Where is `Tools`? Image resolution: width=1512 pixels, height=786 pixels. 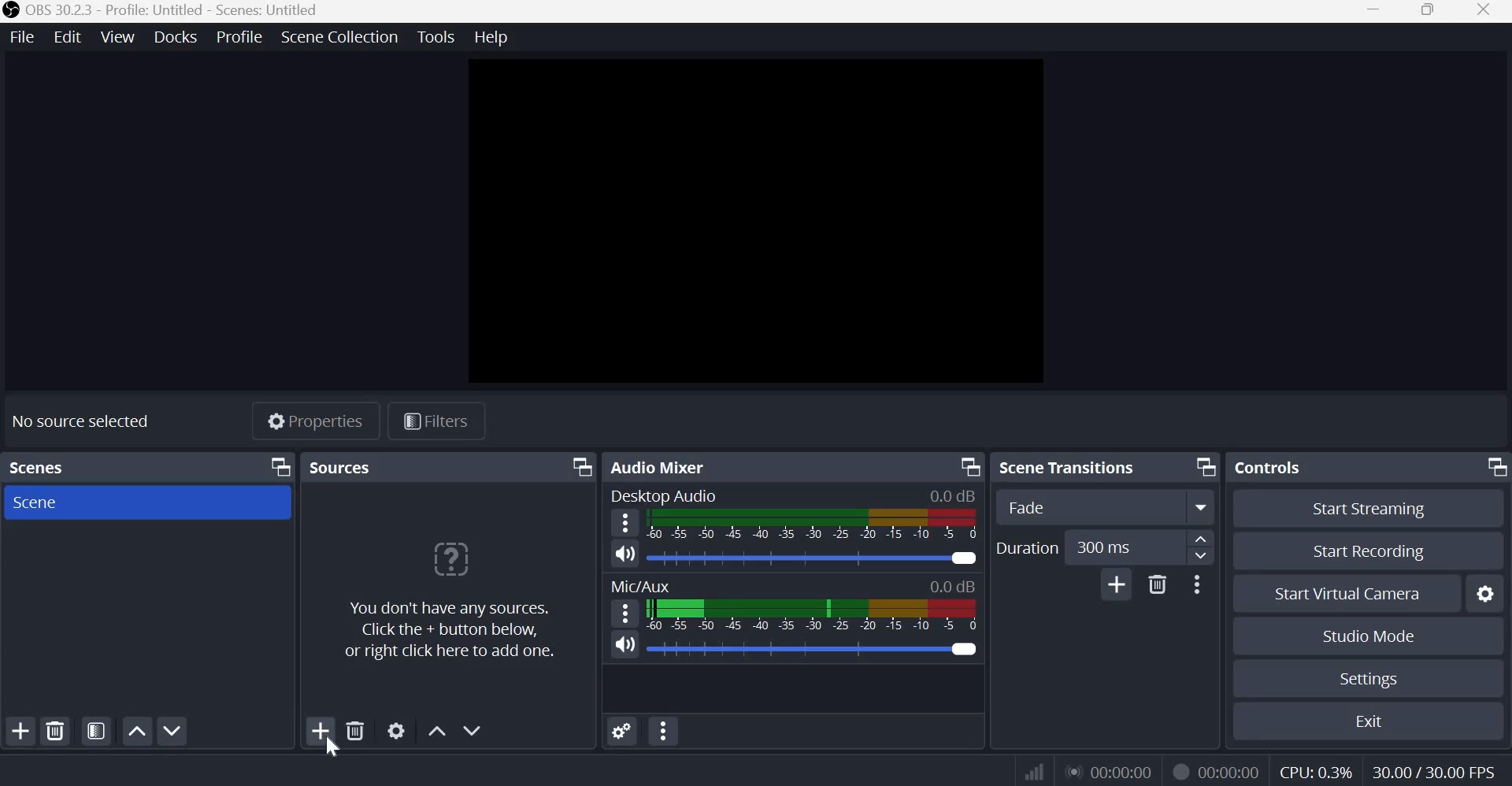
Tools is located at coordinates (437, 37).